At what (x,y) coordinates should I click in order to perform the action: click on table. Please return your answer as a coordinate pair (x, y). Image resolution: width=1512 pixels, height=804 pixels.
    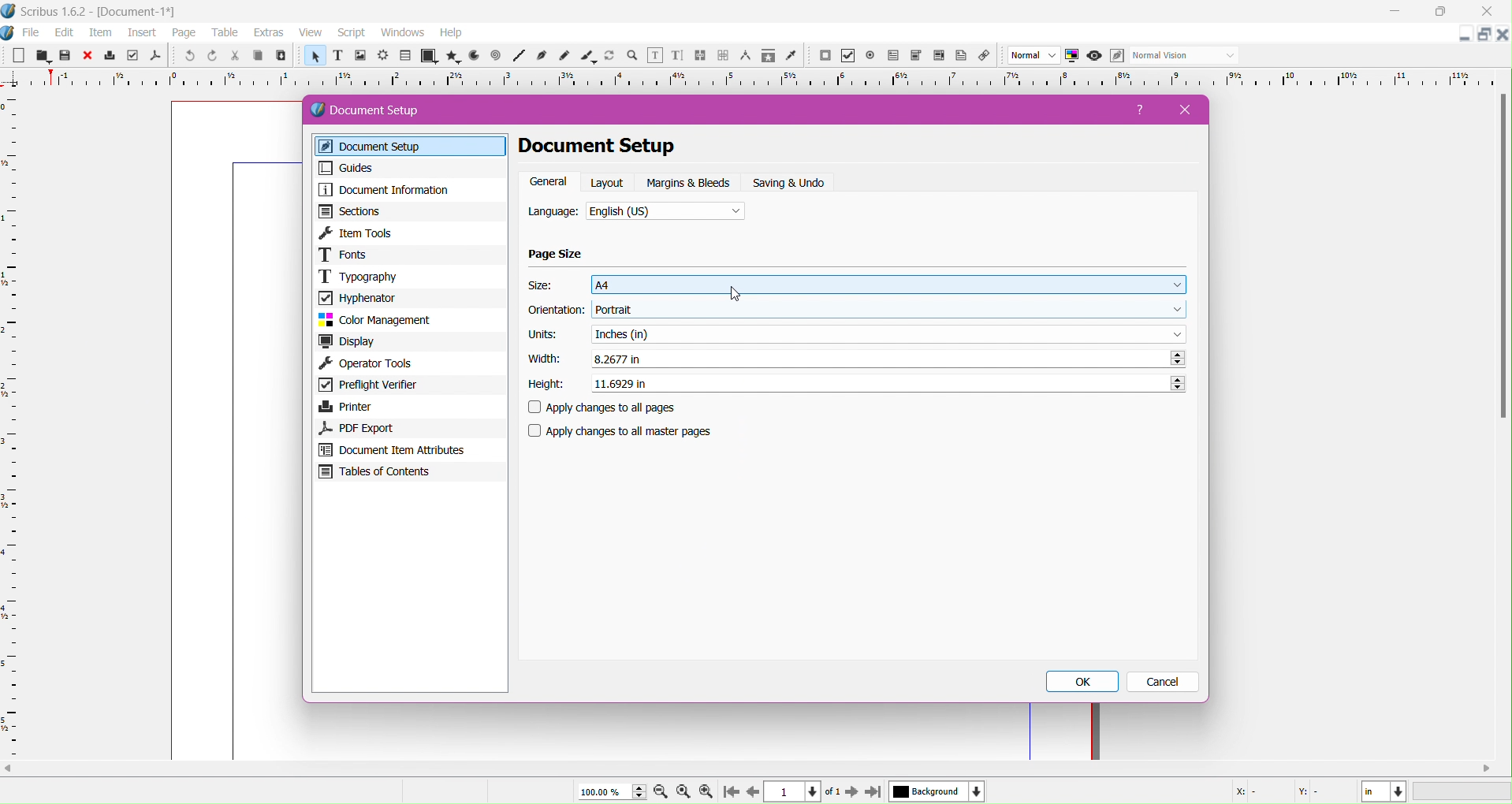
    Looking at the image, I should click on (405, 56).